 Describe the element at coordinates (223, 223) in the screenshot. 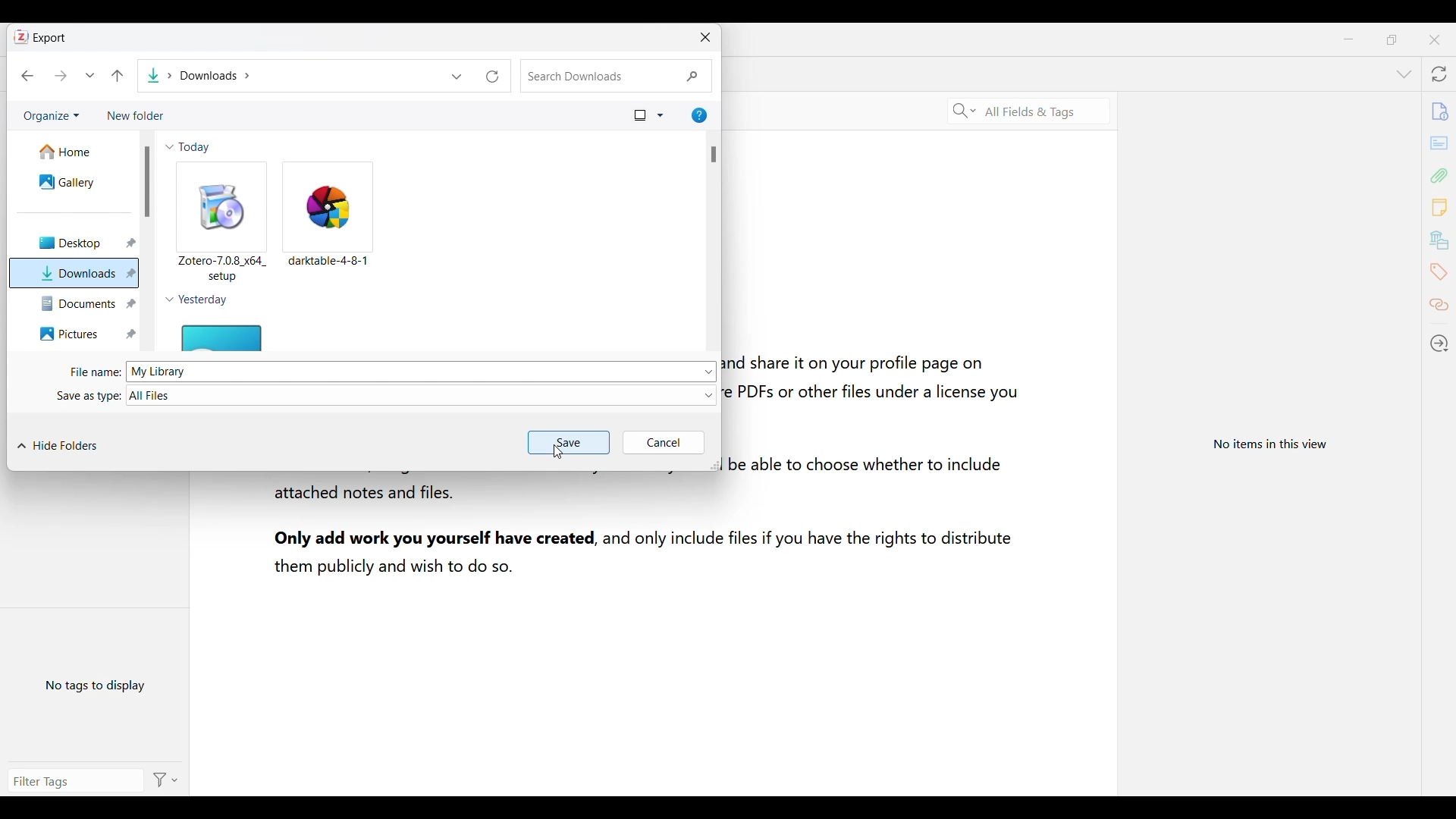

I see `Zotero-7.08 x64_setup` at that location.